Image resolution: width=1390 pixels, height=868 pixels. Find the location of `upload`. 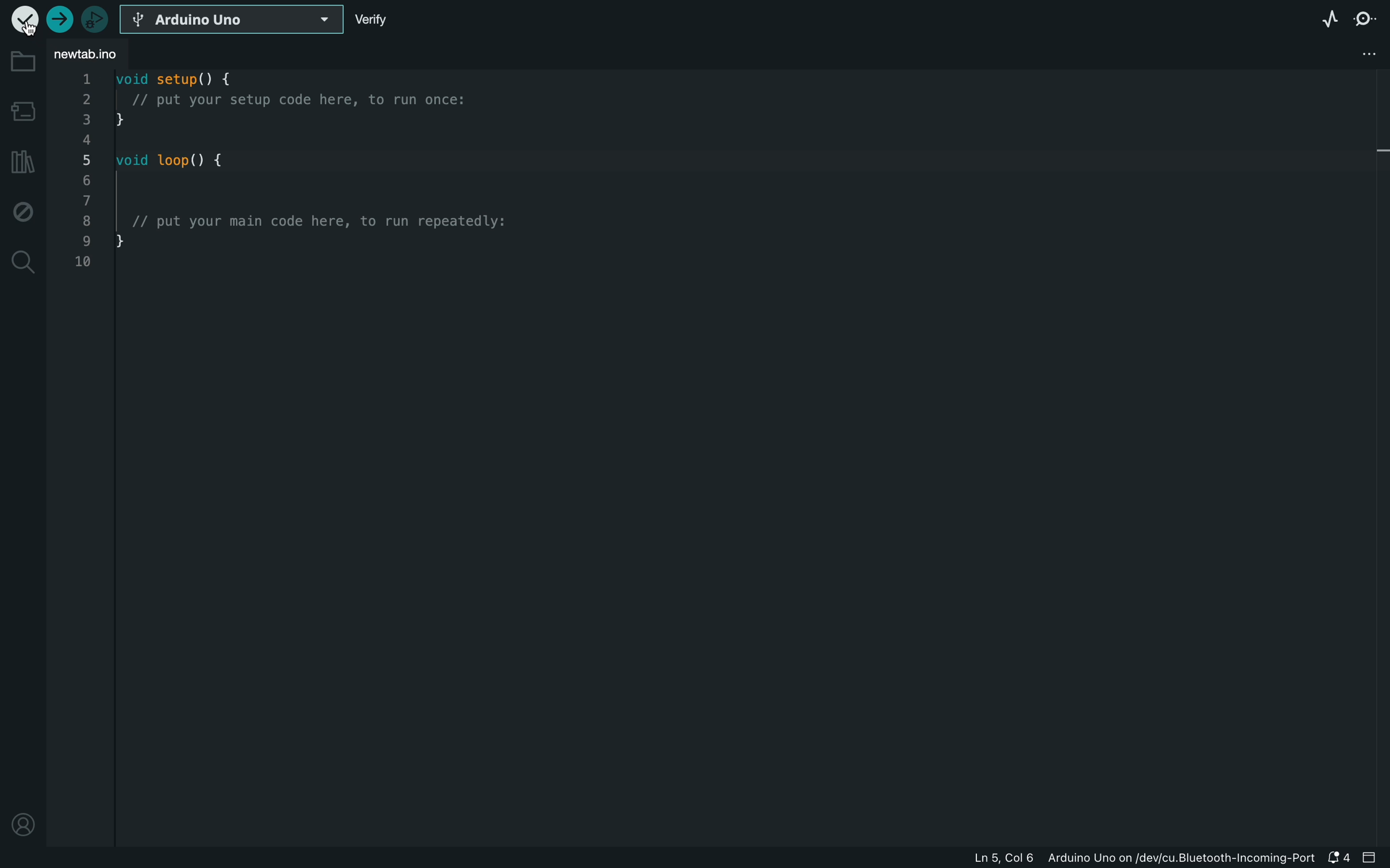

upload is located at coordinates (59, 18).